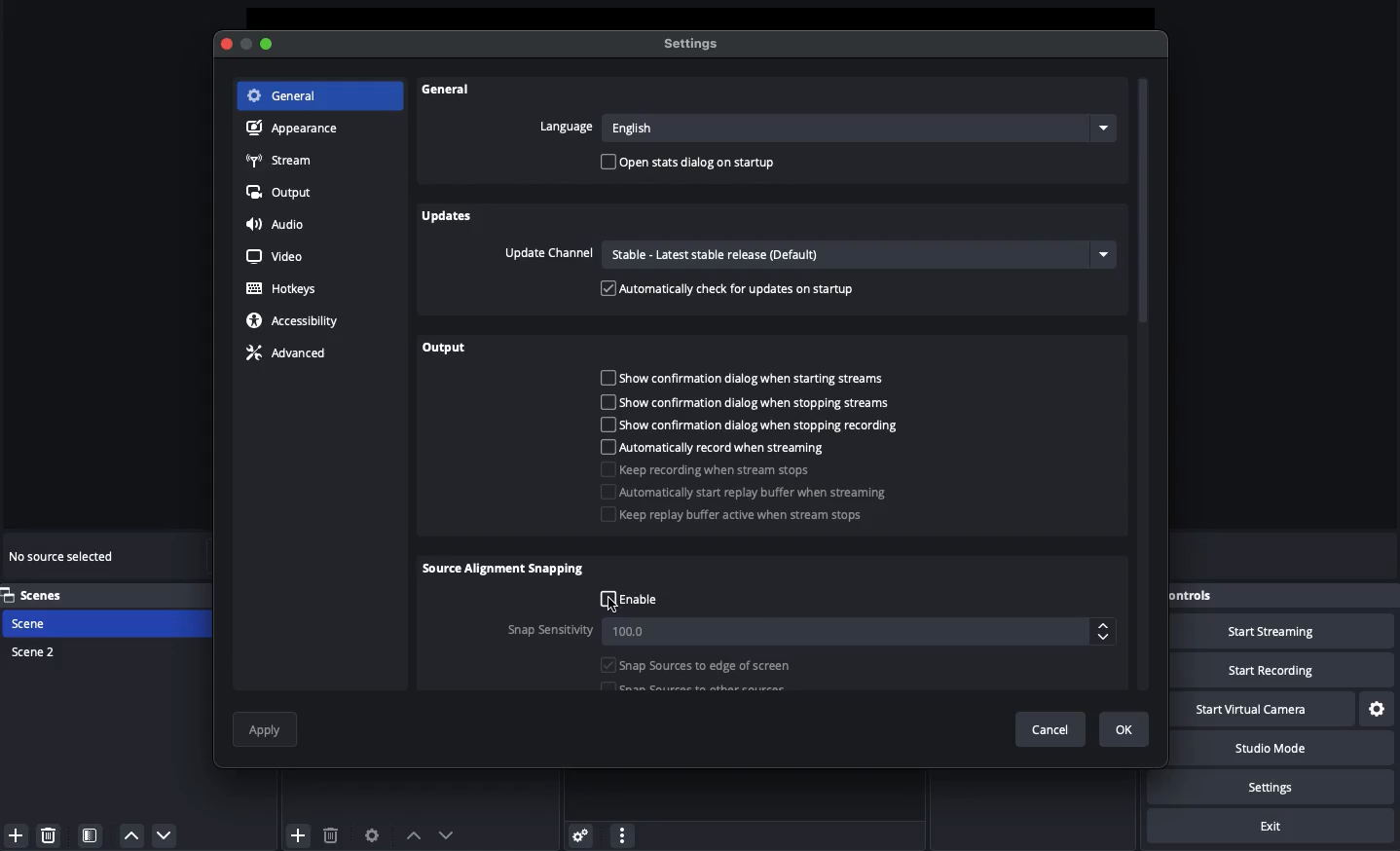 This screenshot has height=851, width=1400. Describe the element at coordinates (1285, 751) in the screenshot. I see `Studio mode` at that location.